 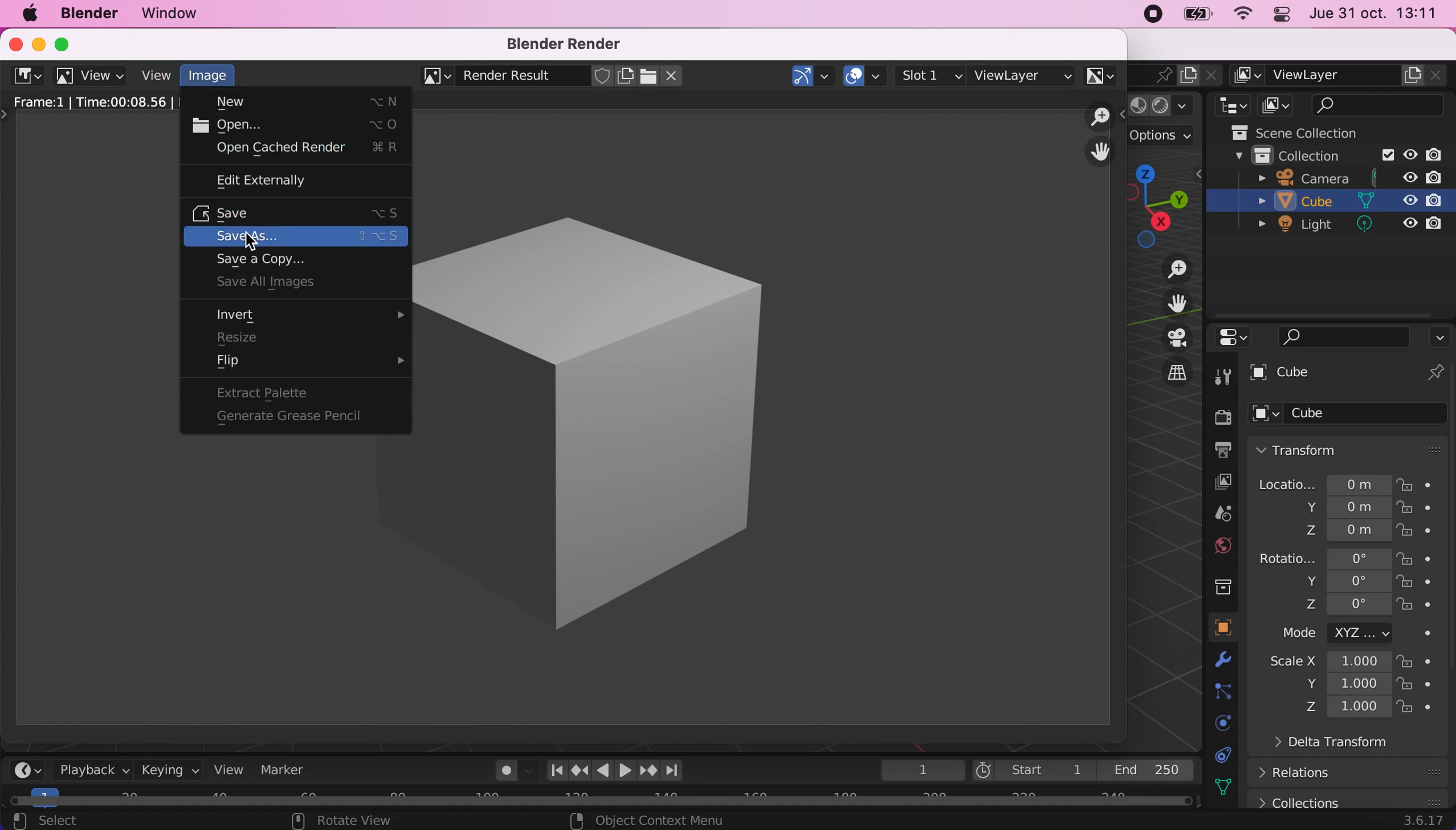 What do you see at coordinates (1166, 204) in the screenshot?
I see `click shortcut drag` at bounding box center [1166, 204].